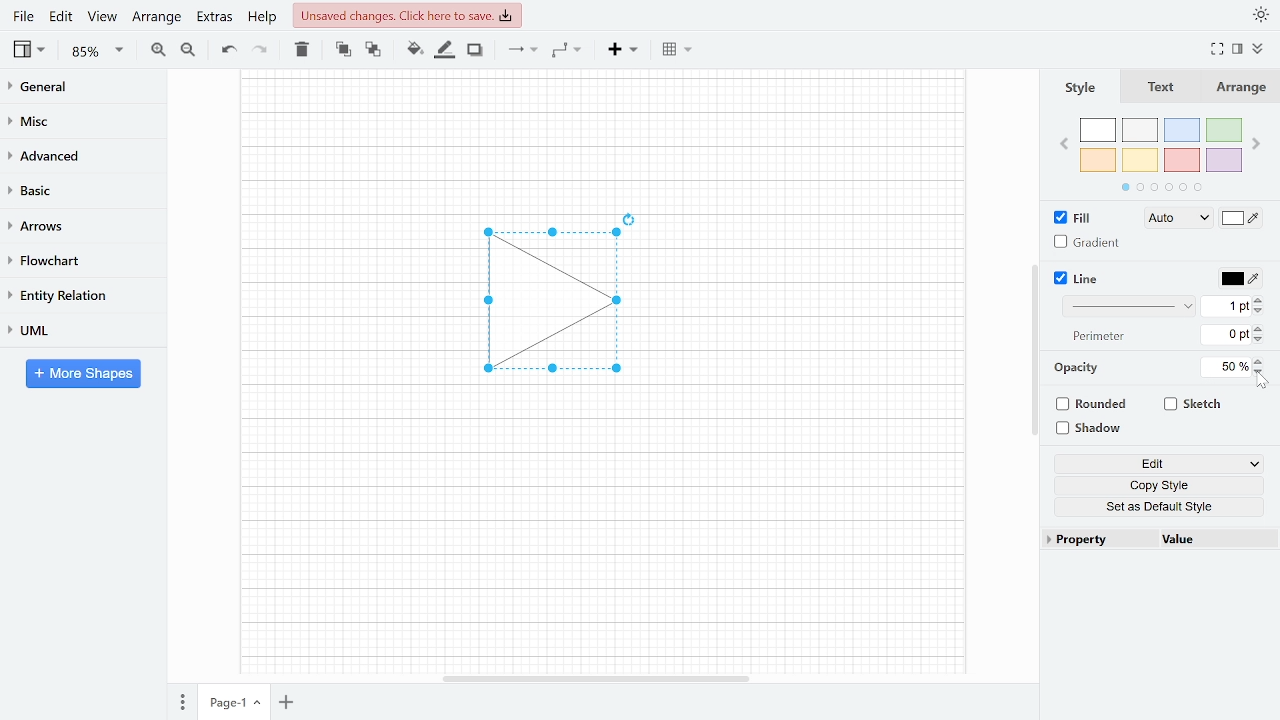  What do you see at coordinates (602, 135) in the screenshot?
I see `workspace` at bounding box center [602, 135].